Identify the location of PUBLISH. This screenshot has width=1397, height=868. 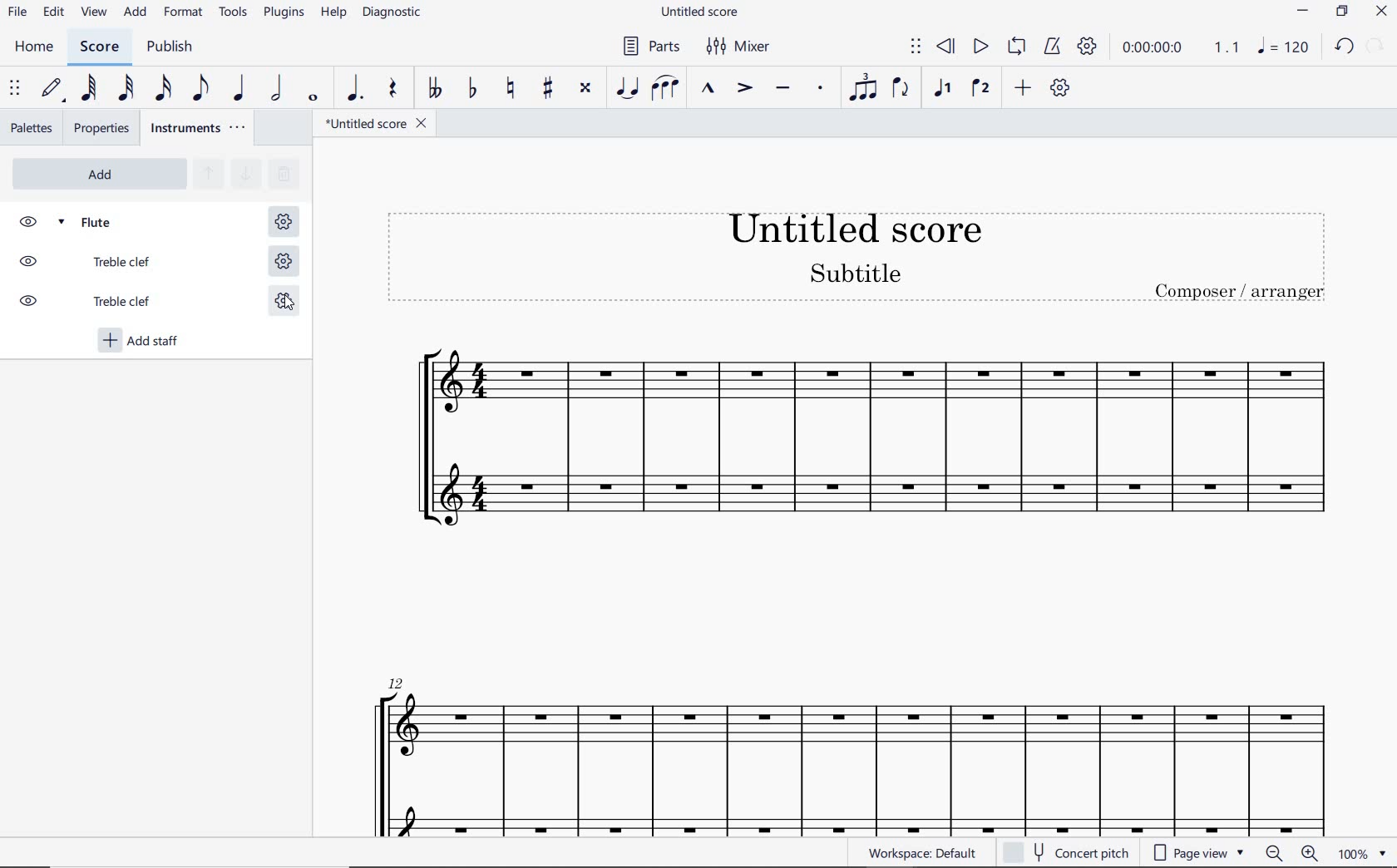
(175, 49).